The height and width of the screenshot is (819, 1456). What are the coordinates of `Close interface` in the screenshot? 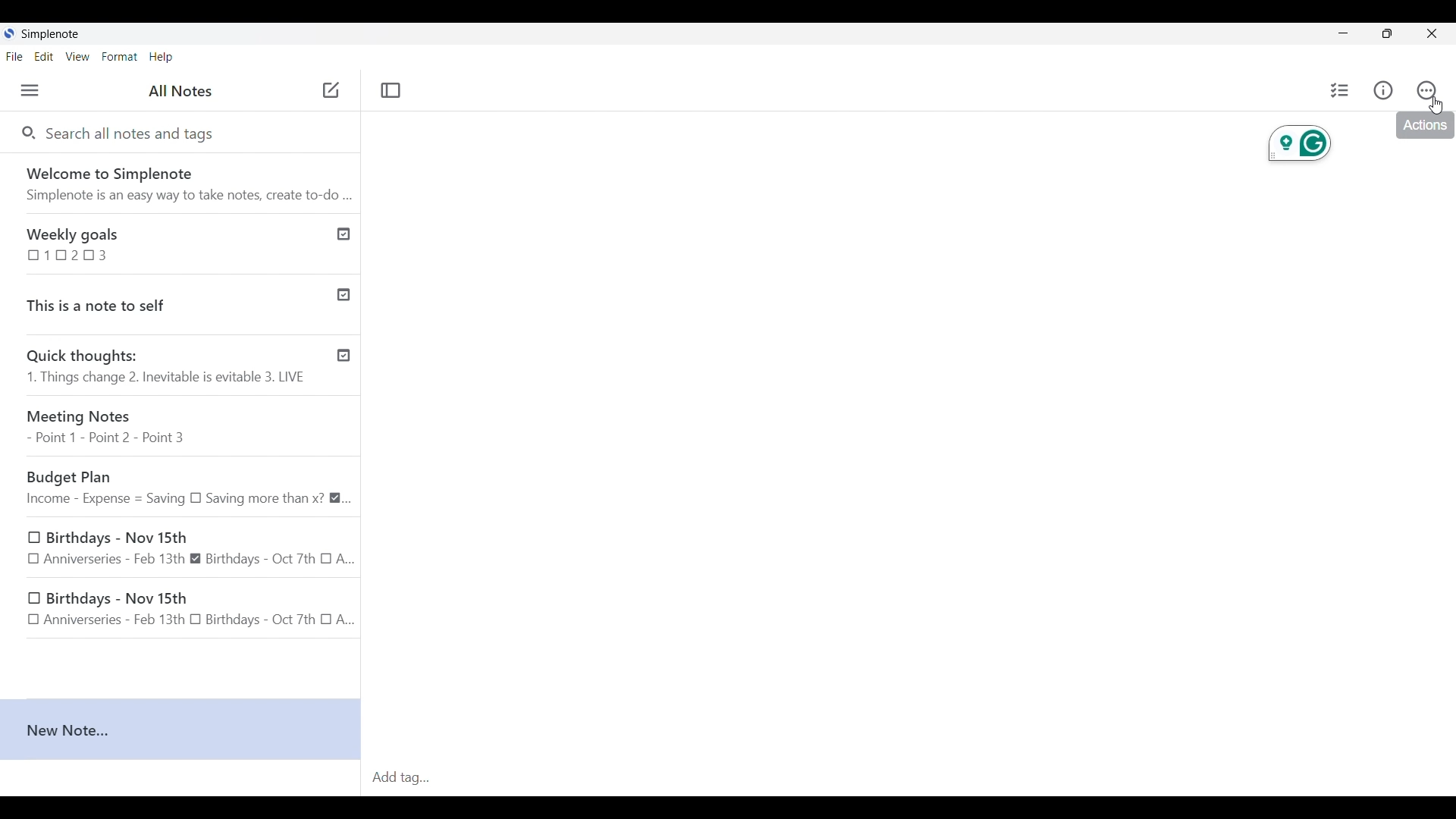 It's located at (1431, 33).